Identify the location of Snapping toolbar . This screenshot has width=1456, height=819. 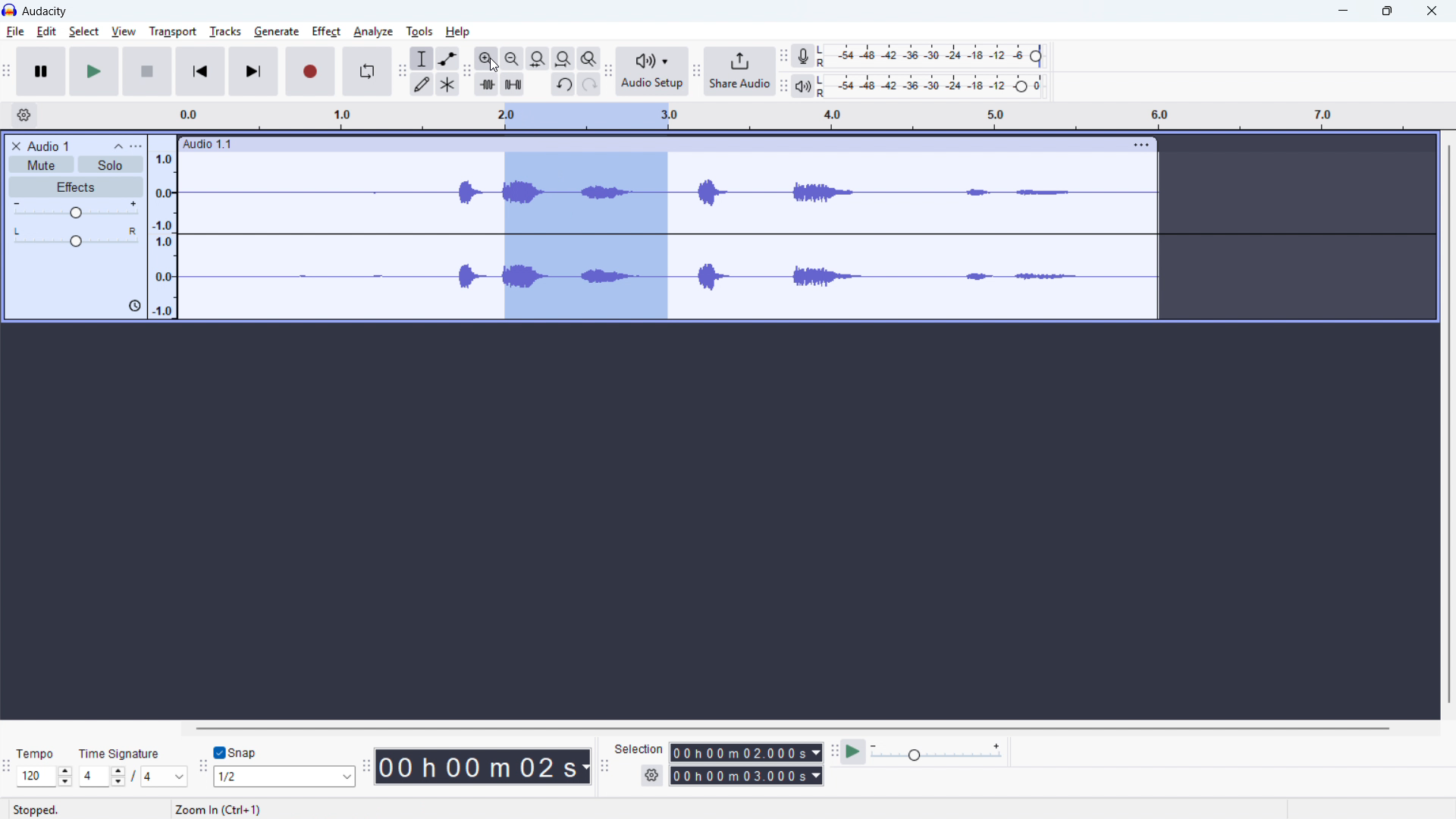
(203, 769).